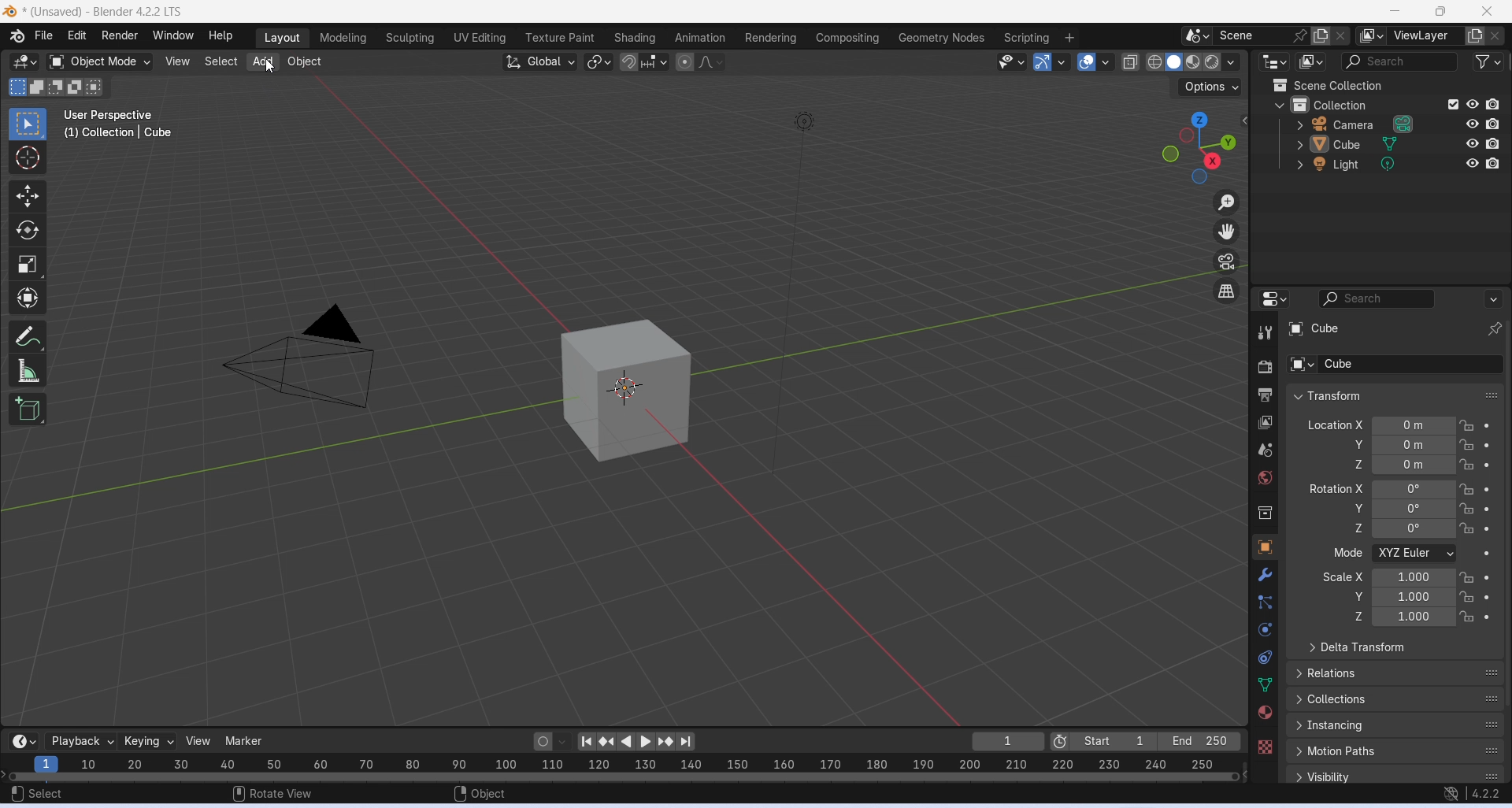  Describe the element at coordinates (1265, 369) in the screenshot. I see `render` at that location.